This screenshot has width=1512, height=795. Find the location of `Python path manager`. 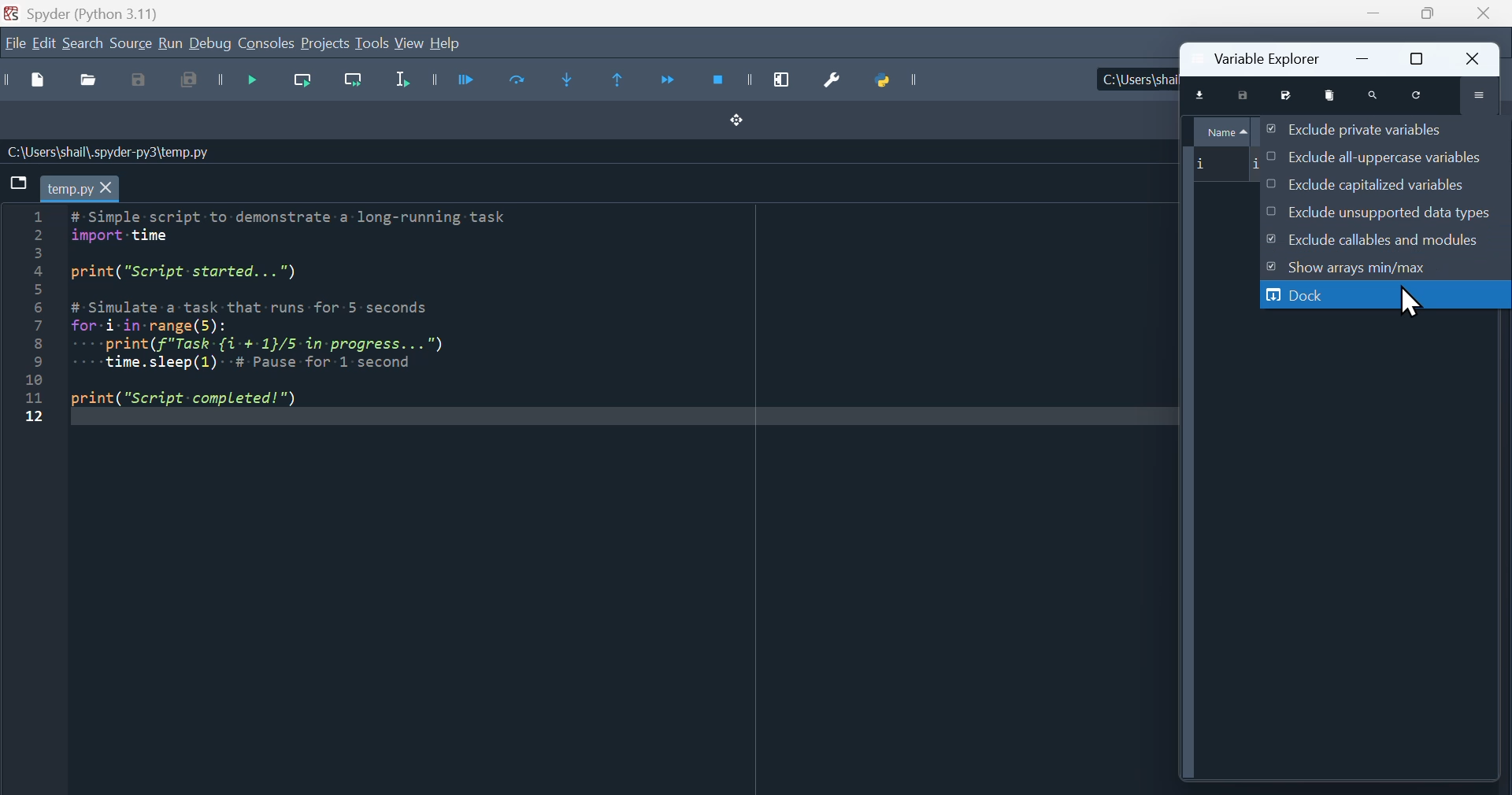

Python path manager is located at coordinates (898, 79).